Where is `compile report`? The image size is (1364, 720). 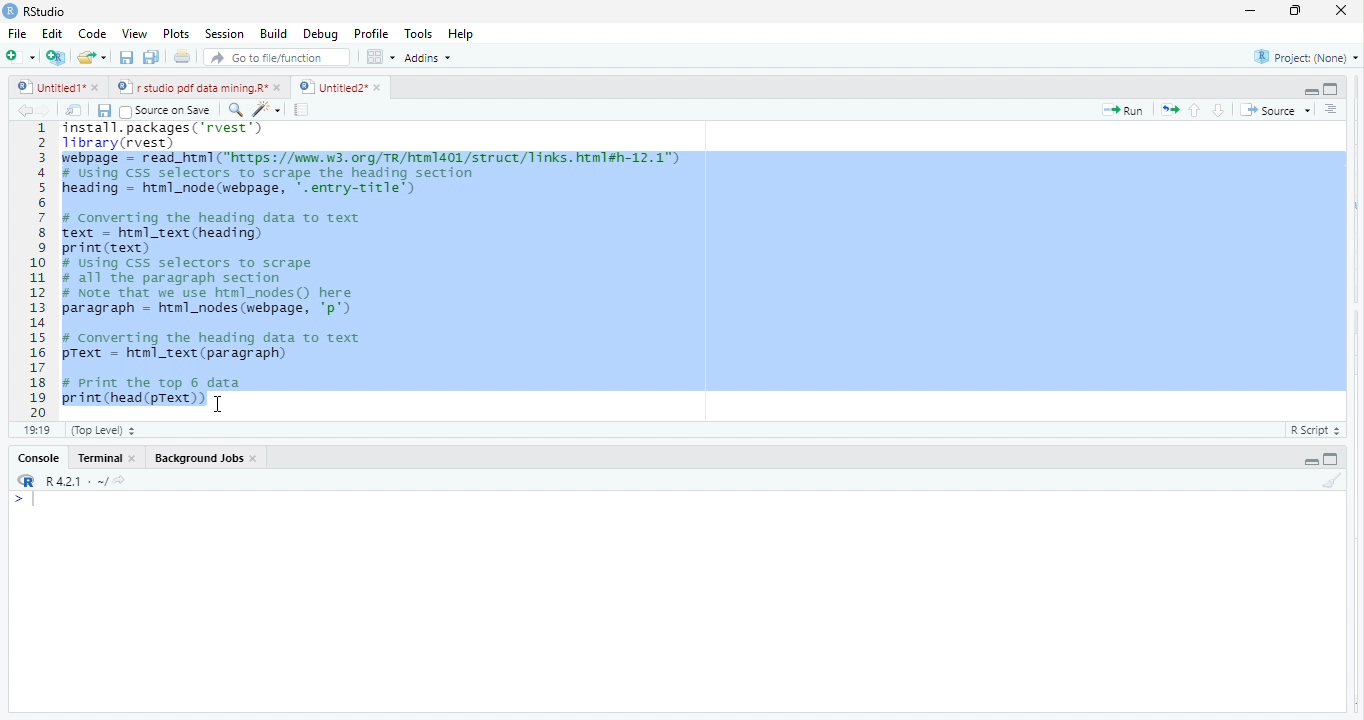
compile report is located at coordinates (303, 111).